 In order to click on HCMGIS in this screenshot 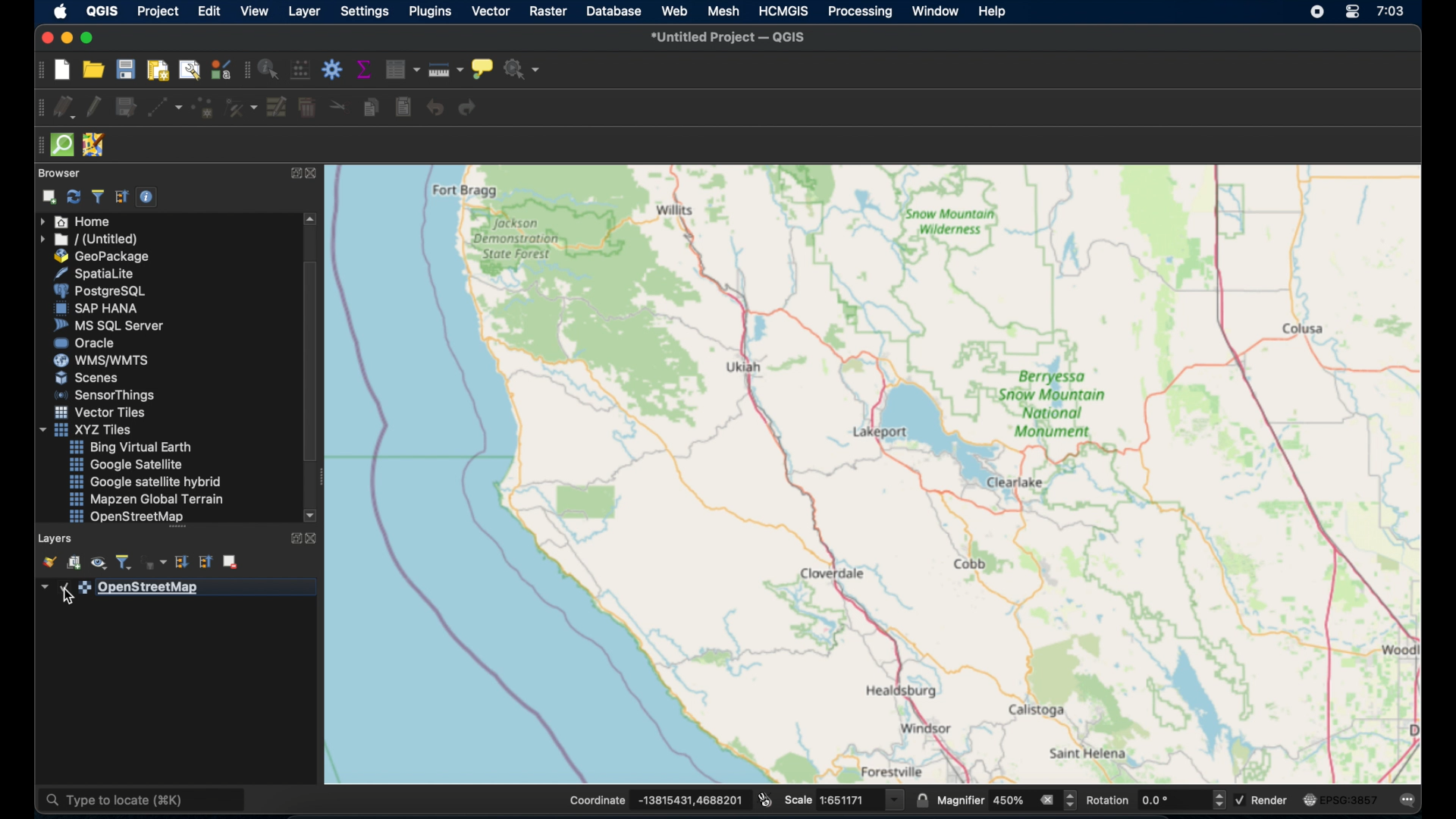, I will do `click(783, 11)`.